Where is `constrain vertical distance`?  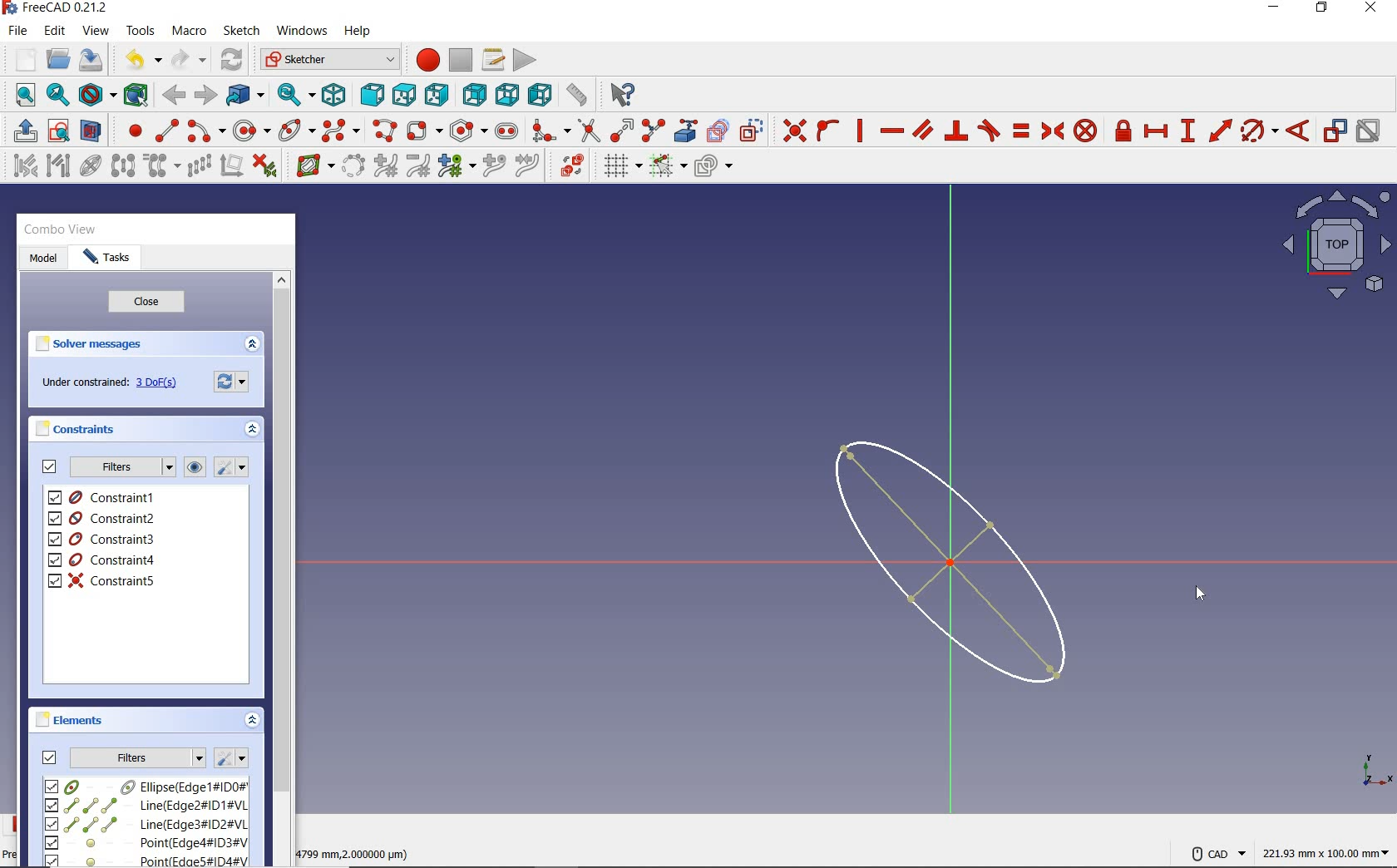 constrain vertical distance is located at coordinates (1187, 131).